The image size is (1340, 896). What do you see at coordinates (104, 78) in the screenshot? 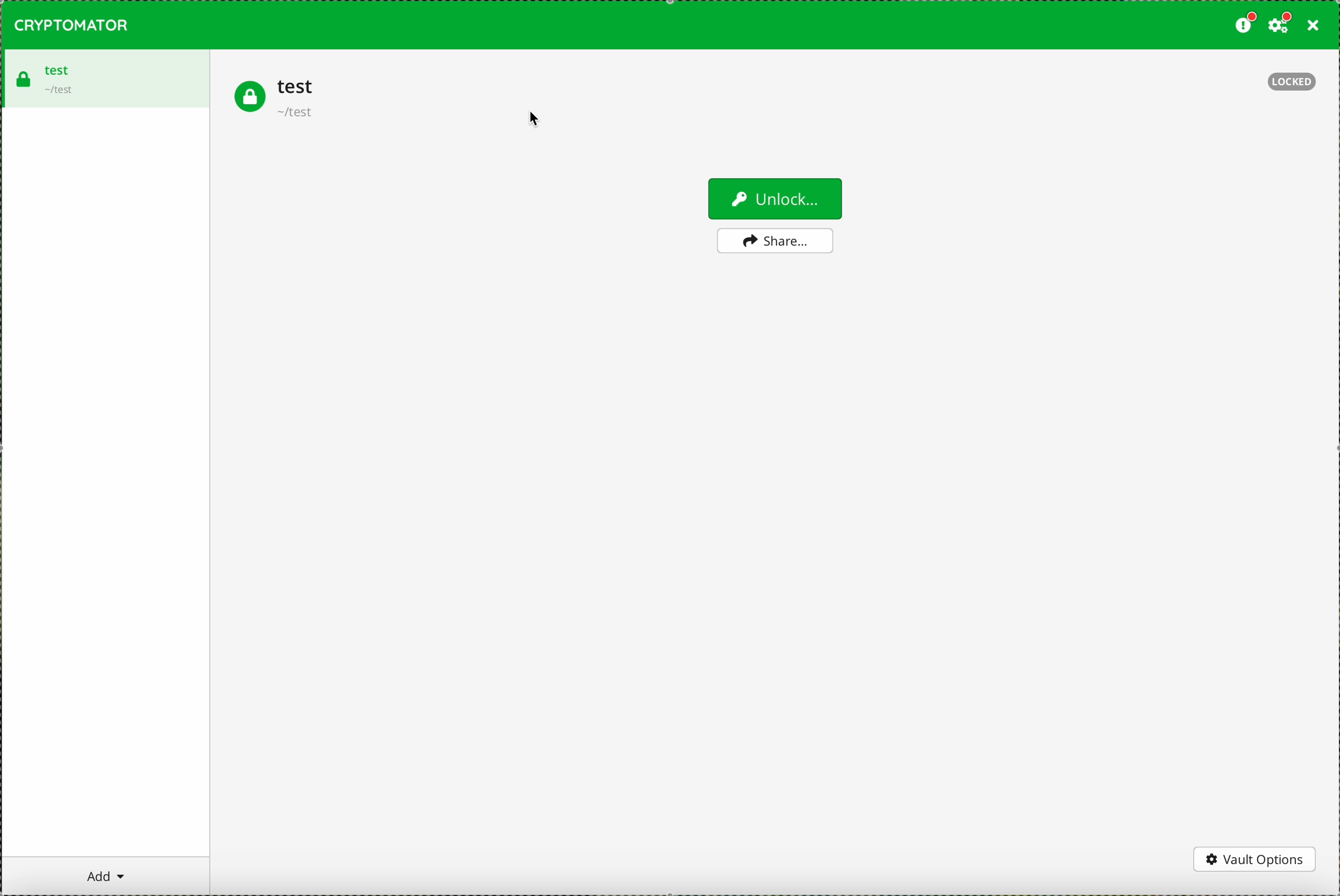
I see `test vault` at bounding box center [104, 78].